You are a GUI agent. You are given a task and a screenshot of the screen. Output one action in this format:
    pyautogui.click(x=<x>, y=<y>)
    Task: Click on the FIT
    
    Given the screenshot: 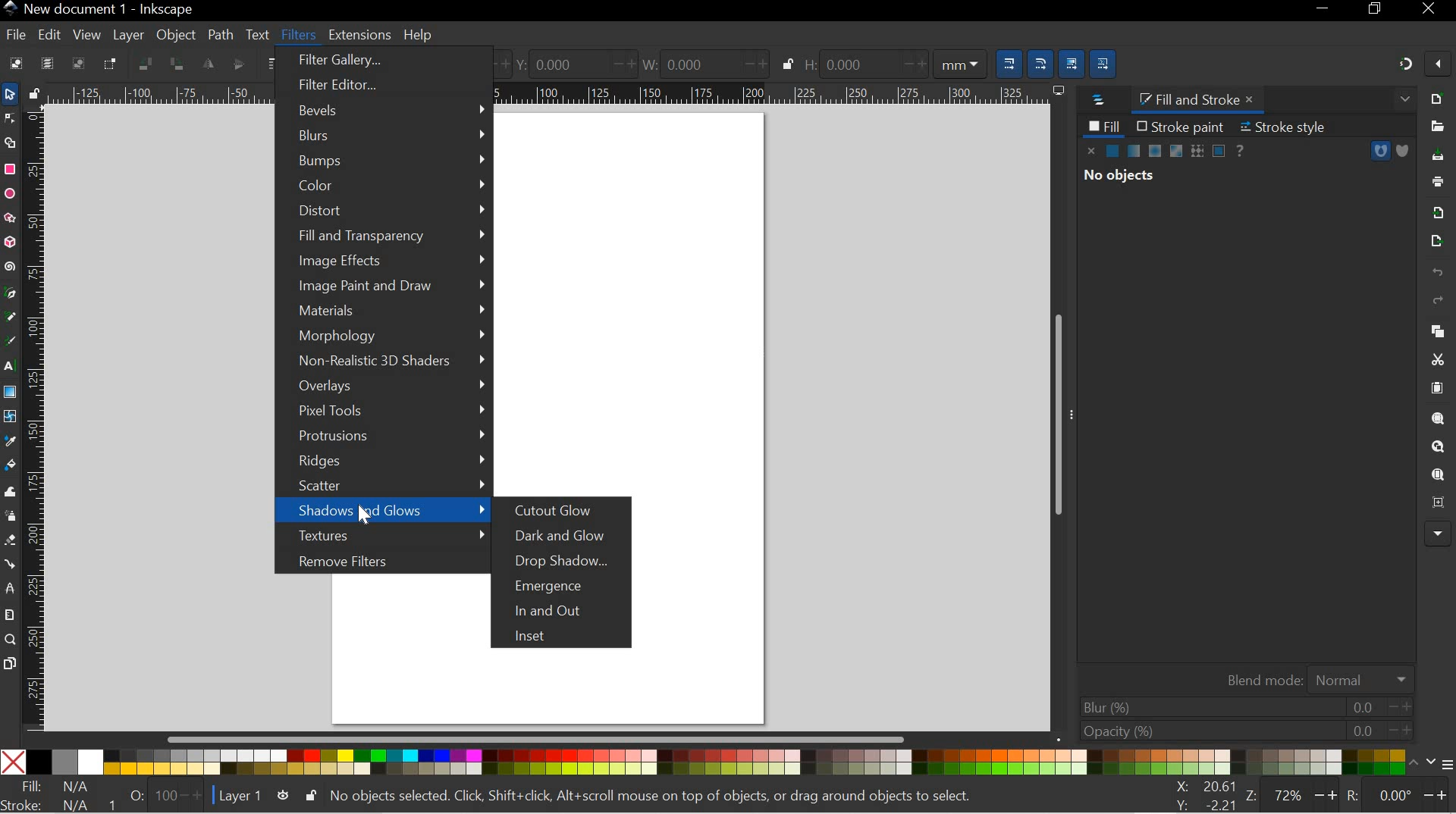 What is the action you would take?
    pyautogui.click(x=56, y=787)
    